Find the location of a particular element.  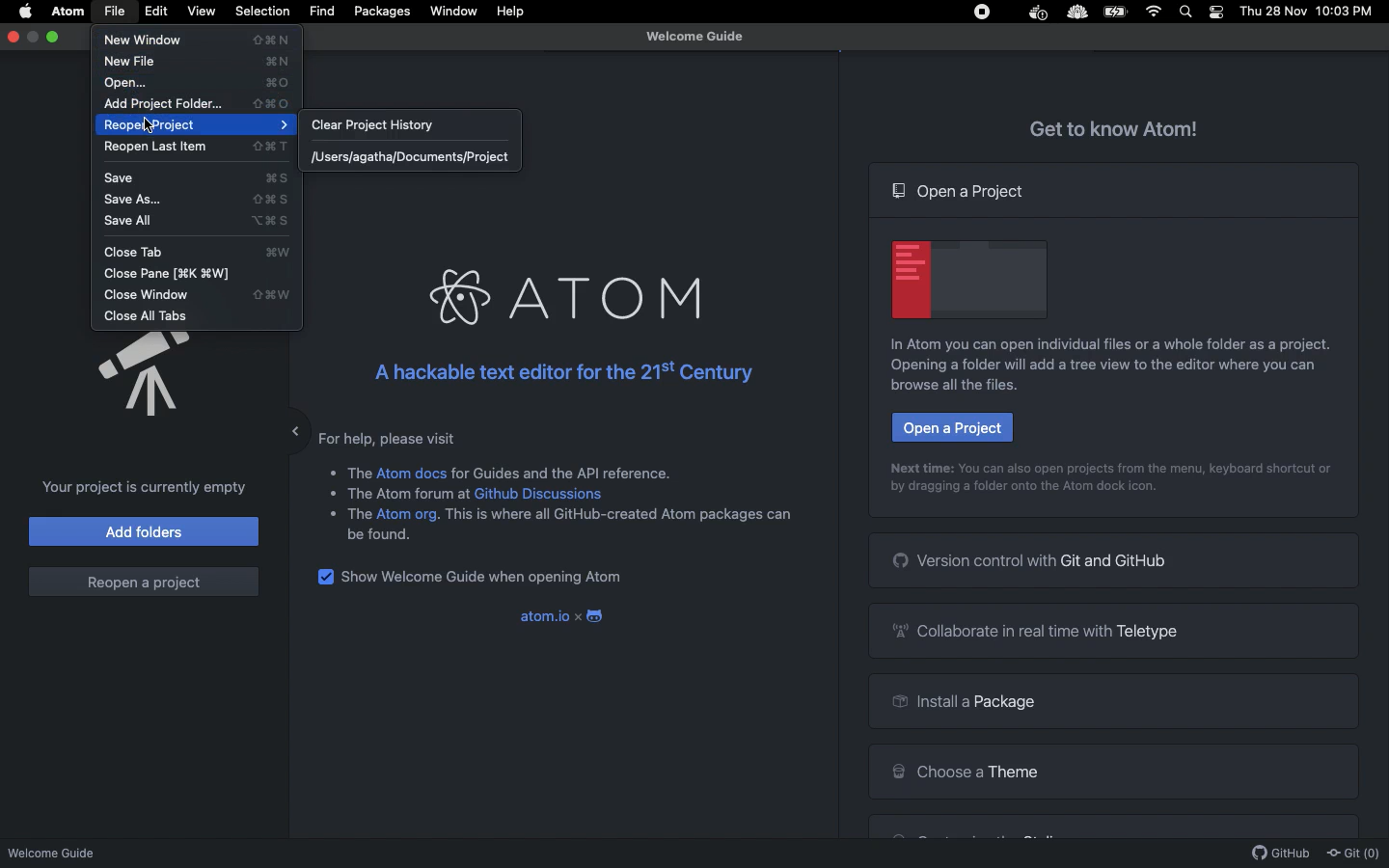

Clear project history is located at coordinates (393, 127).